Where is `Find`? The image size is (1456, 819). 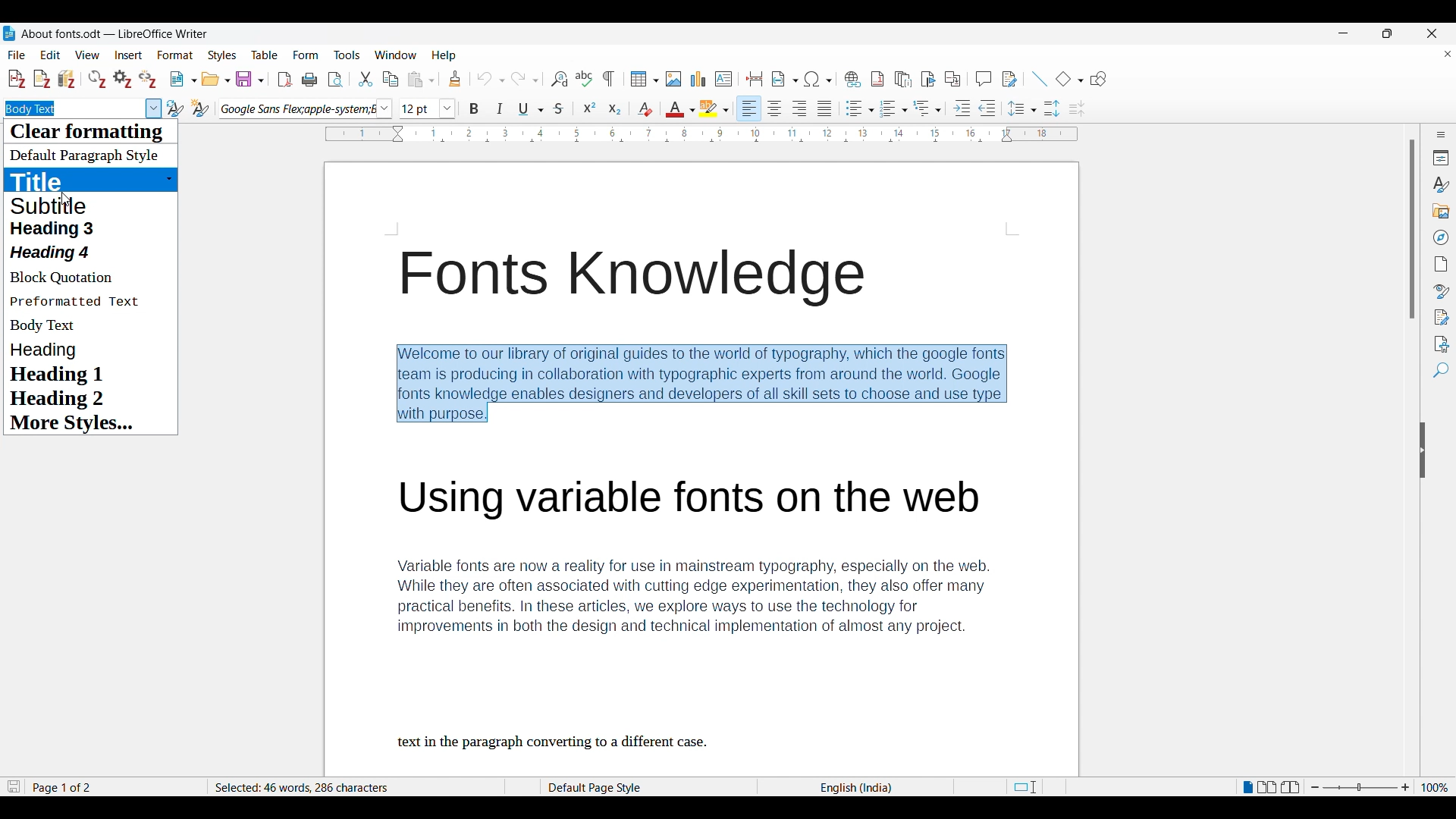
Find is located at coordinates (1442, 370).